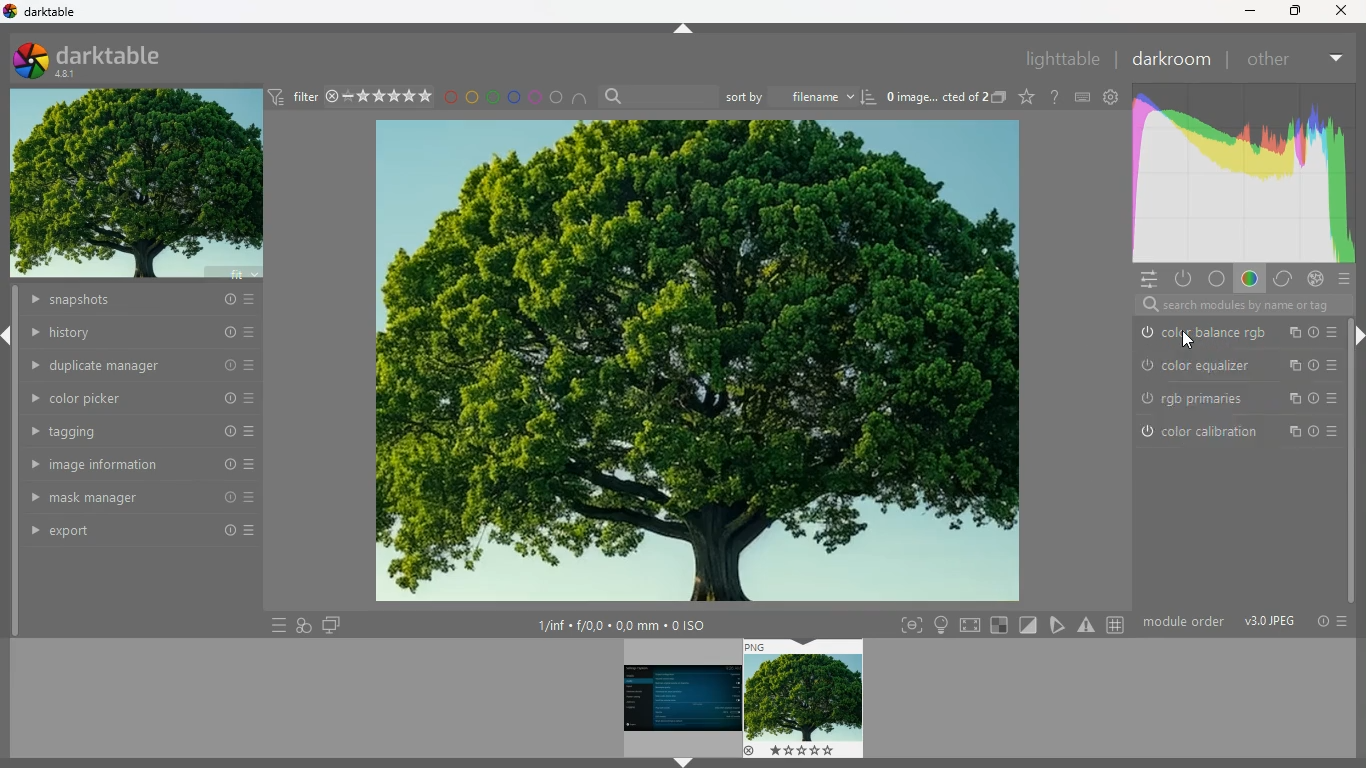 Image resolution: width=1366 pixels, height=768 pixels. I want to click on #, so click(1118, 626).